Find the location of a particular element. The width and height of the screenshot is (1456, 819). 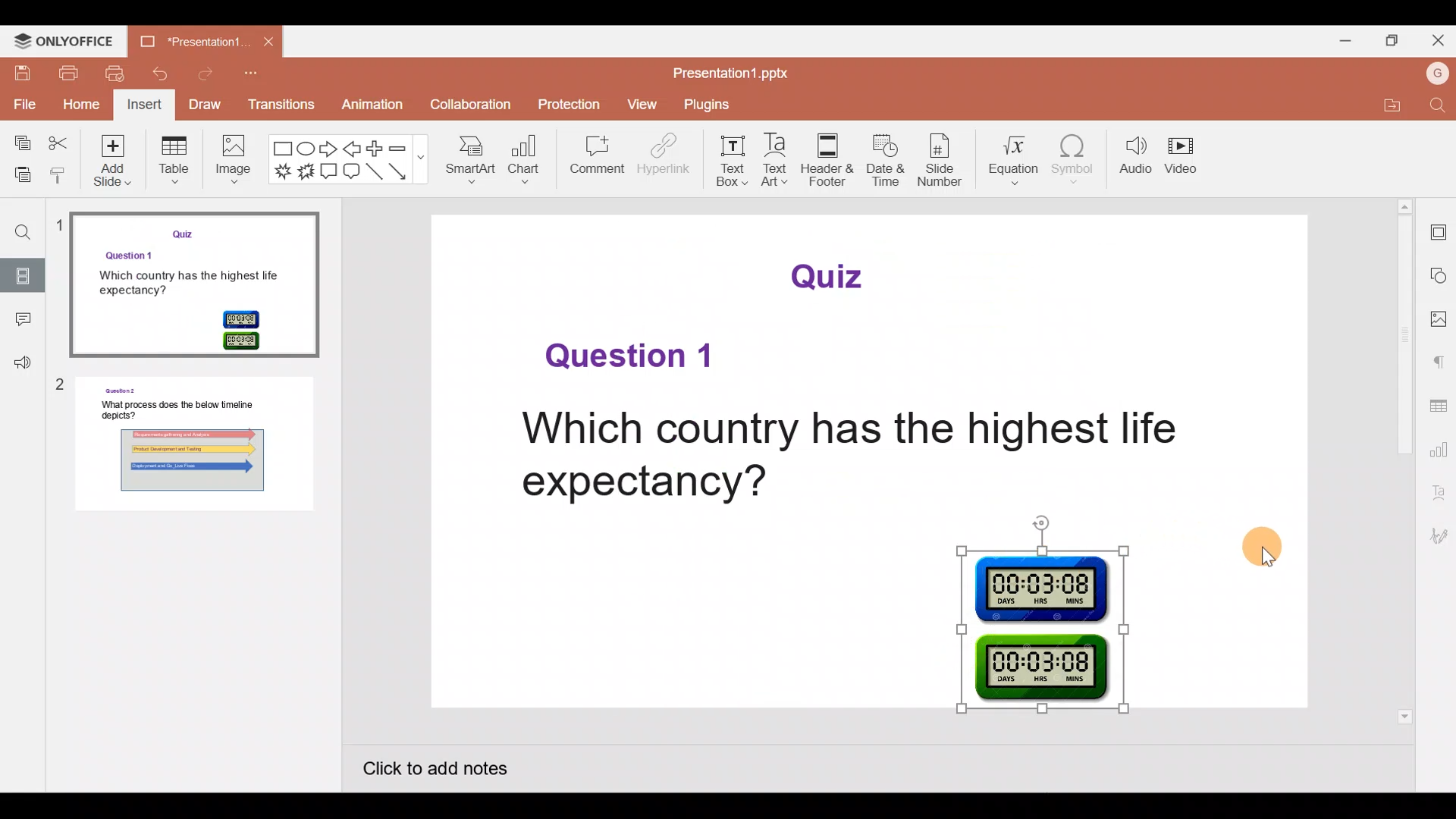

Slide settings is located at coordinates (1439, 230).